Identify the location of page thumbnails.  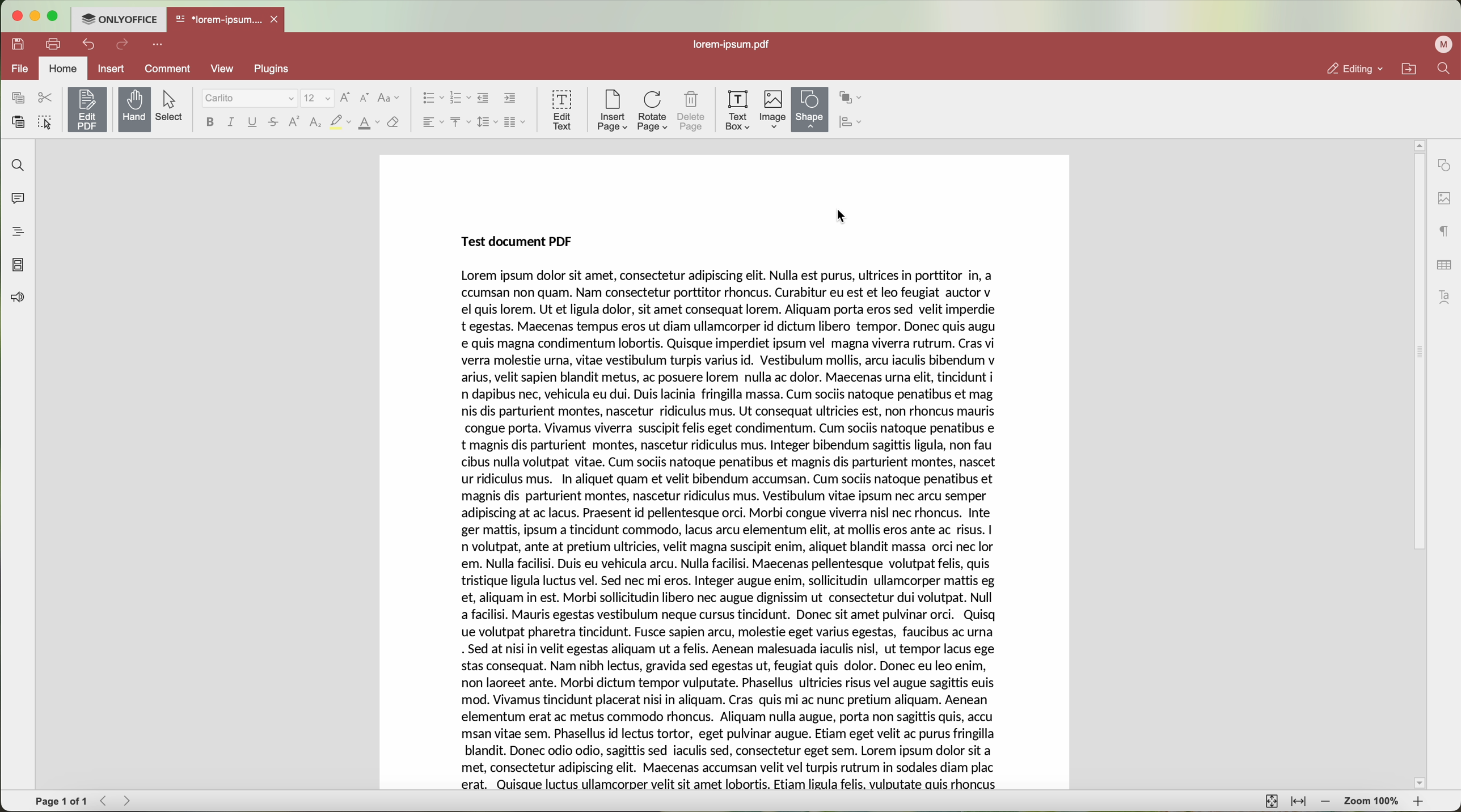
(18, 266).